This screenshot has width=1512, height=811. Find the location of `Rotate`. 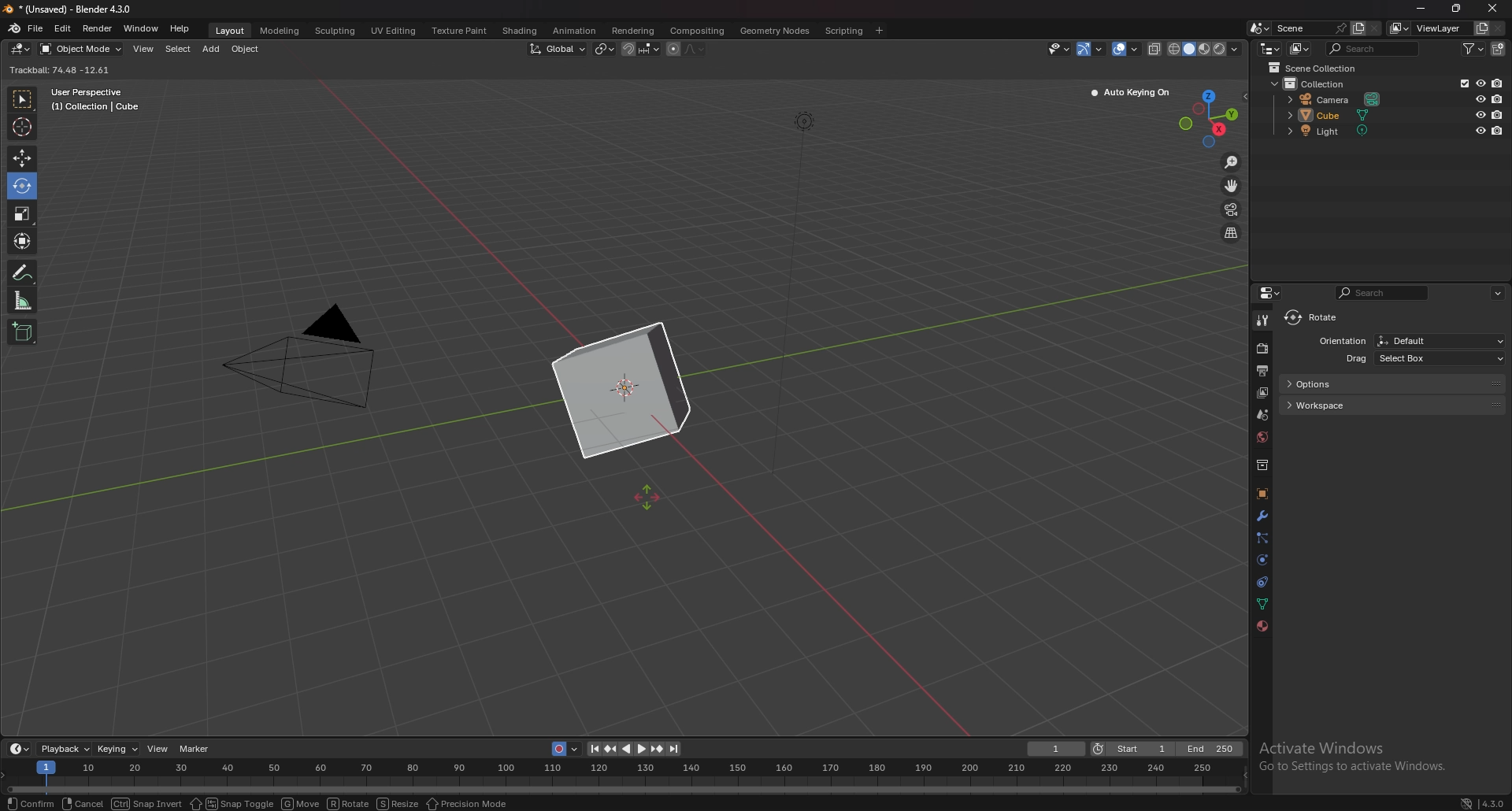

Rotate is located at coordinates (21, 187).